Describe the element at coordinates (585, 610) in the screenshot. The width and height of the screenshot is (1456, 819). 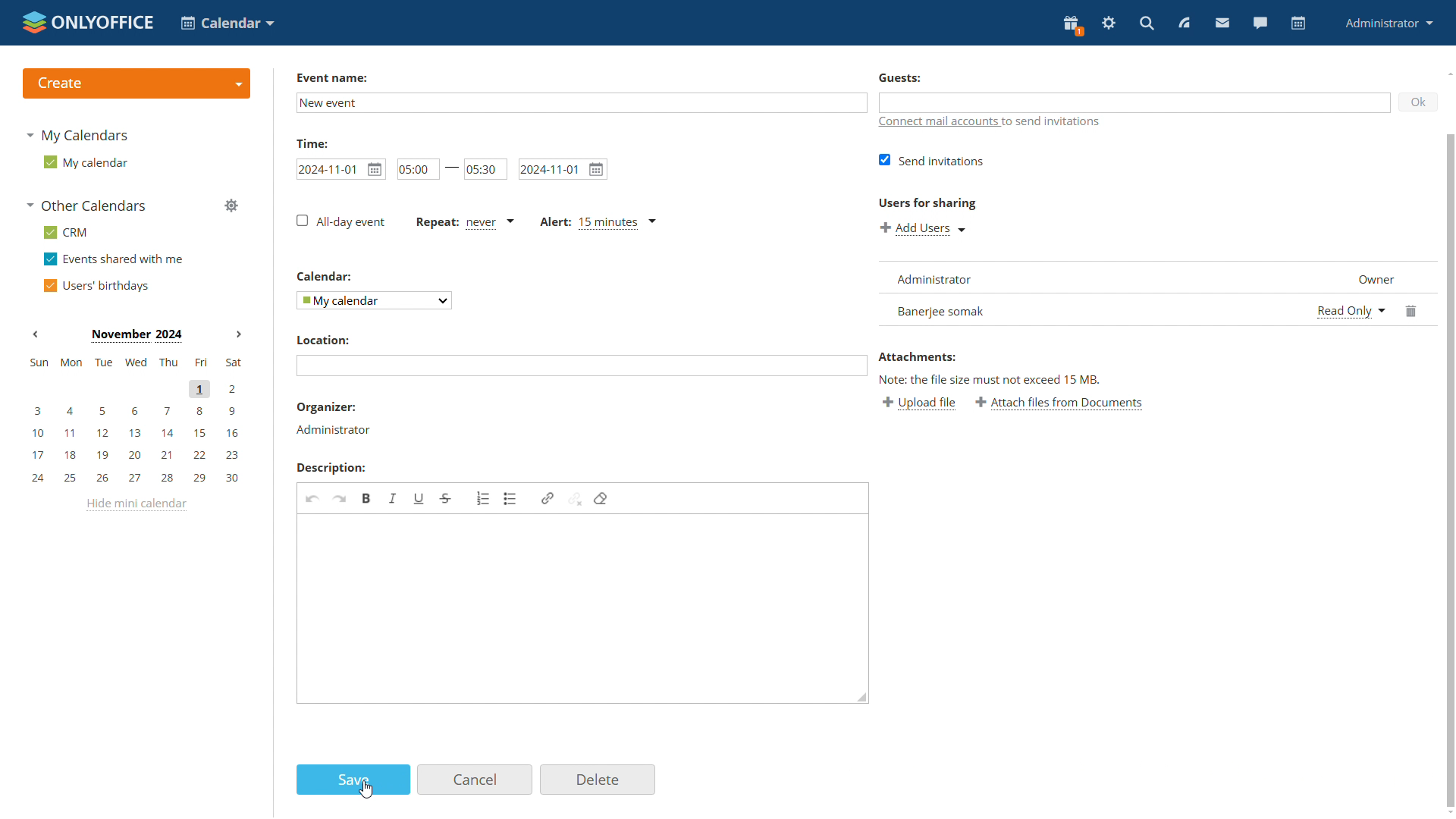
I see `Edit description` at that location.